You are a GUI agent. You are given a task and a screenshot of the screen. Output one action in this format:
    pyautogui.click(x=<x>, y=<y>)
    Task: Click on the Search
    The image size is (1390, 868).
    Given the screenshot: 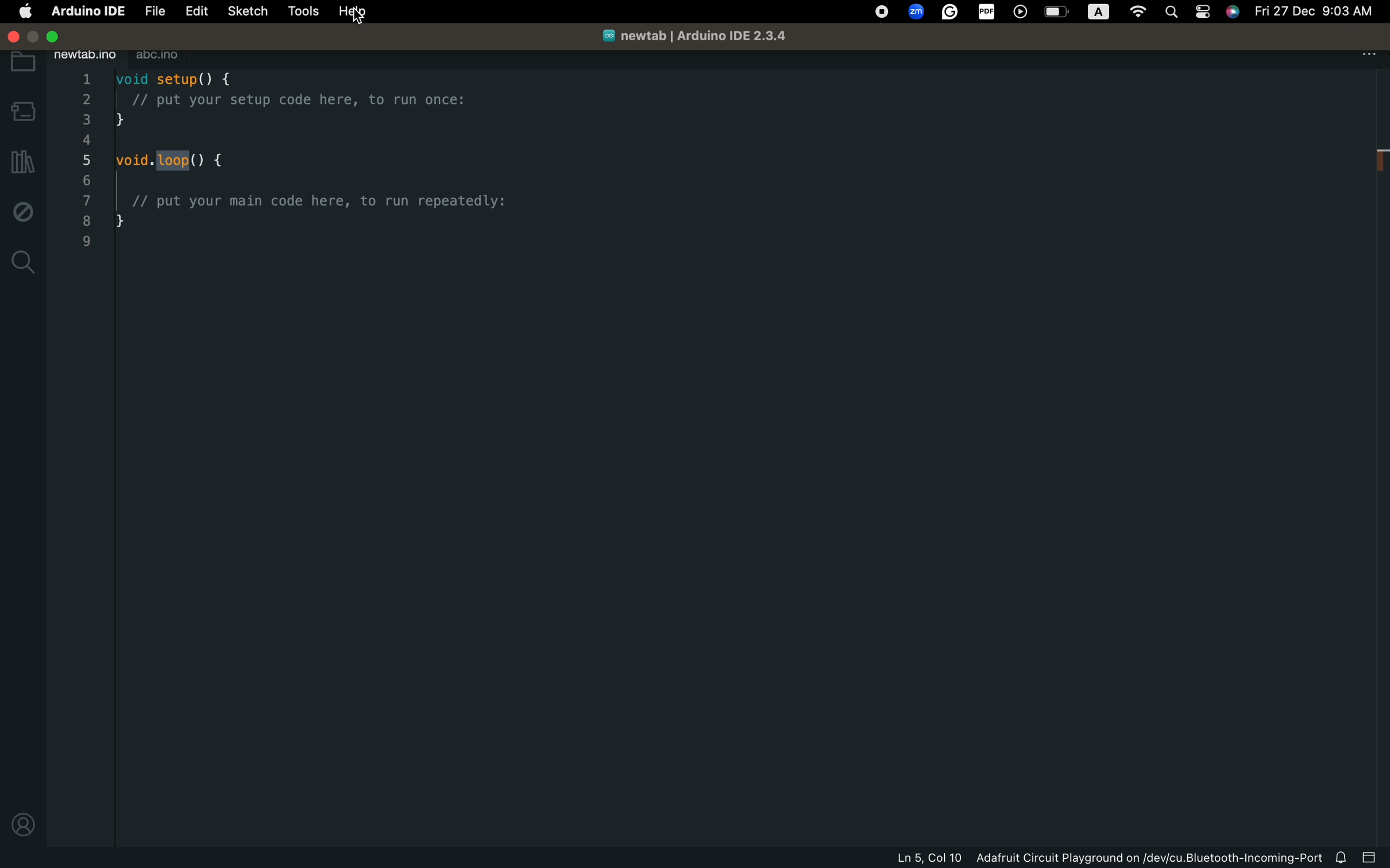 What is the action you would take?
    pyautogui.click(x=1175, y=13)
    